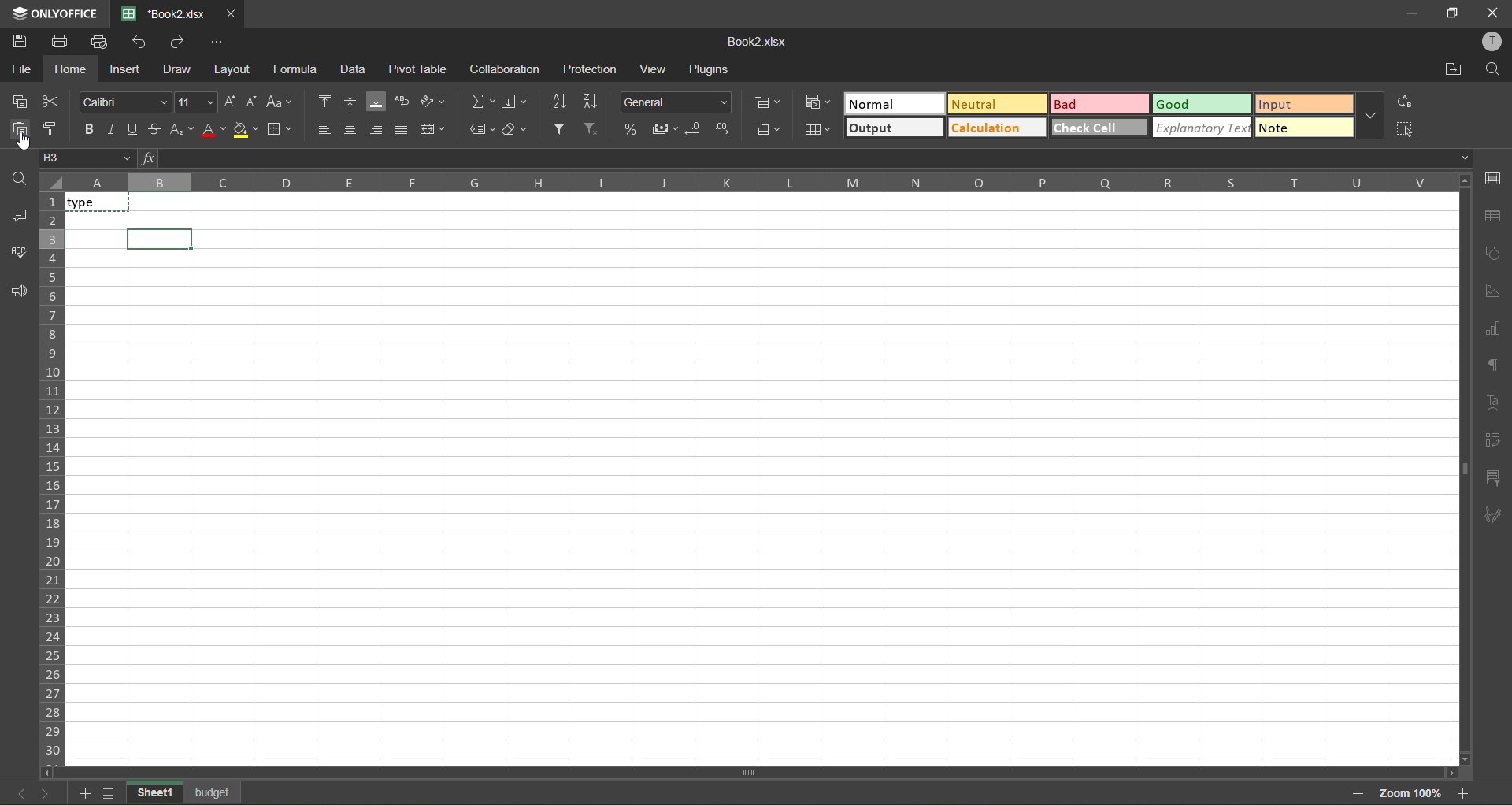 This screenshot has width=1512, height=805. What do you see at coordinates (1406, 102) in the screenshot?
I see `replace` at bounding box center [1406, 102].